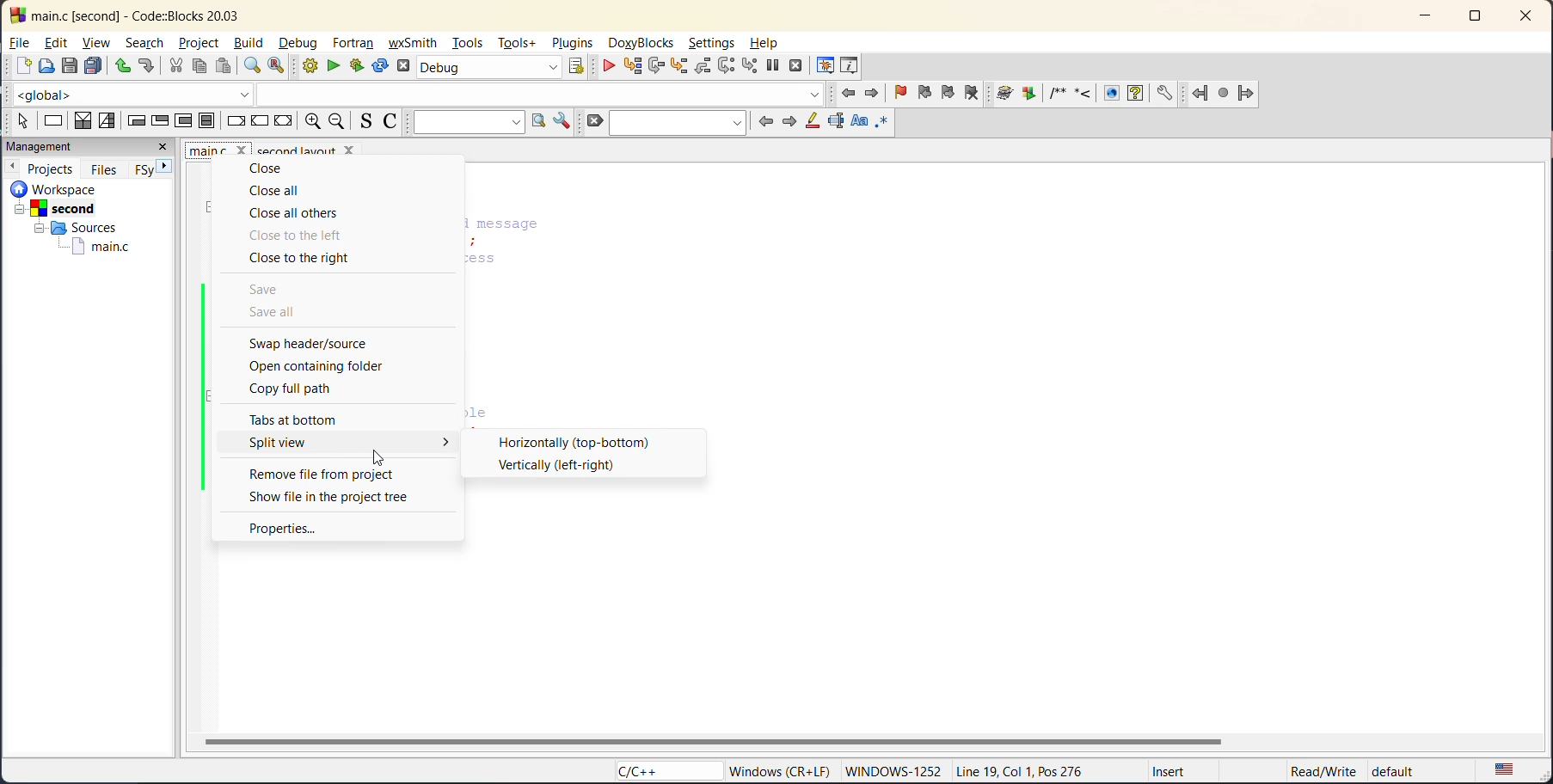 The width and height of the screenshot is (1553, 784). I want to click on jump back, so click(851, 95).